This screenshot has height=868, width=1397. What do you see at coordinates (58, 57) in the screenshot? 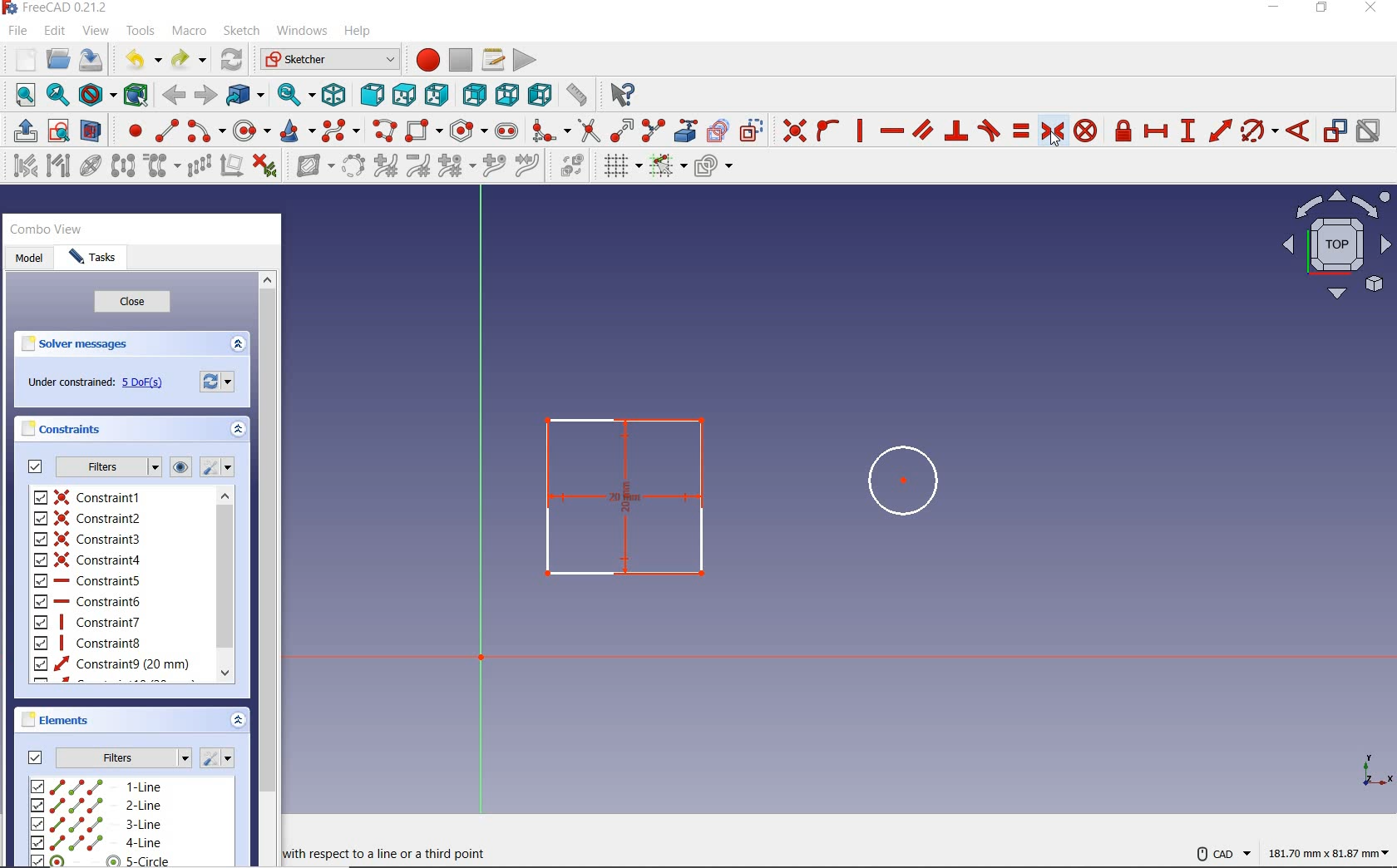
I see `open` at bounding box center [58, 57].